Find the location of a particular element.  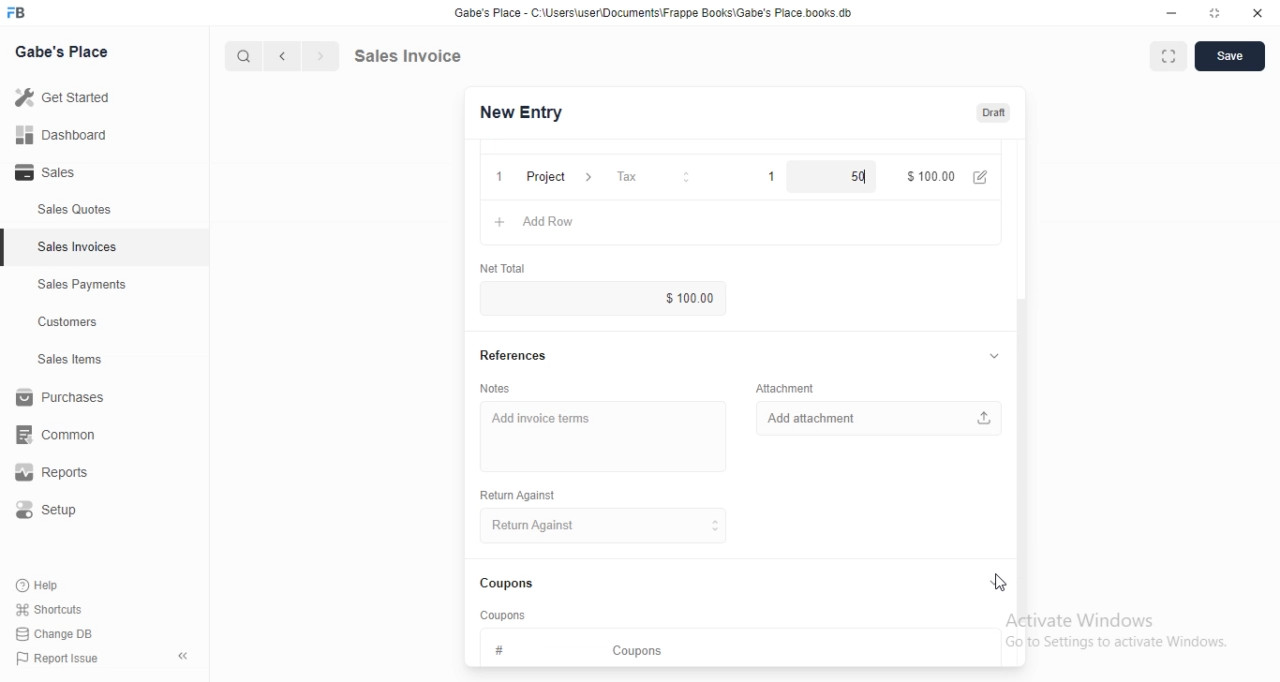

Shortcuts is located at coordinates (61, 608).